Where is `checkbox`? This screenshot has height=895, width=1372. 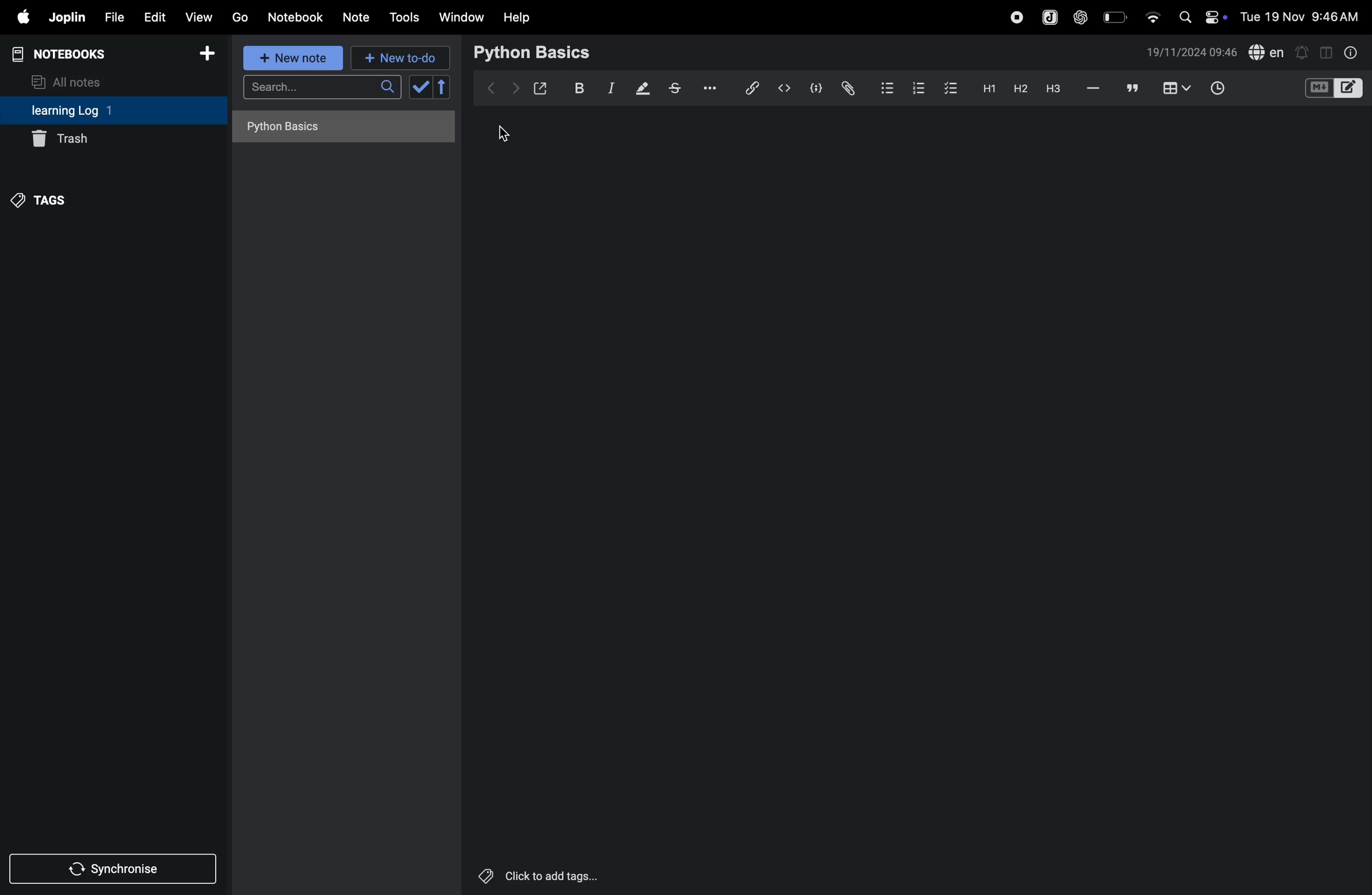
checkbox is located at coordinates (949, 87).